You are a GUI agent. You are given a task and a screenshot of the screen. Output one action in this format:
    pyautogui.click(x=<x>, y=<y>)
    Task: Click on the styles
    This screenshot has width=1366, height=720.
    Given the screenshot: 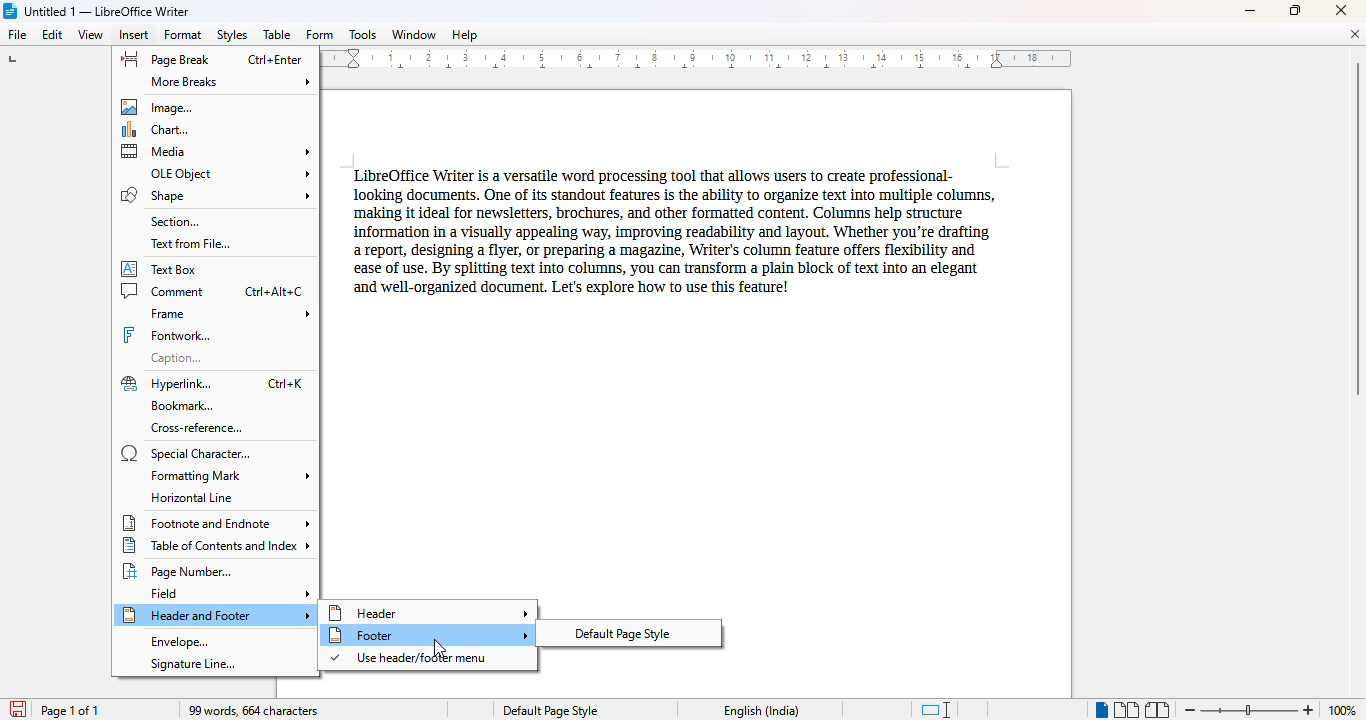 What is the action you would take?
    pyautogui.click(x=231, y=35)
    